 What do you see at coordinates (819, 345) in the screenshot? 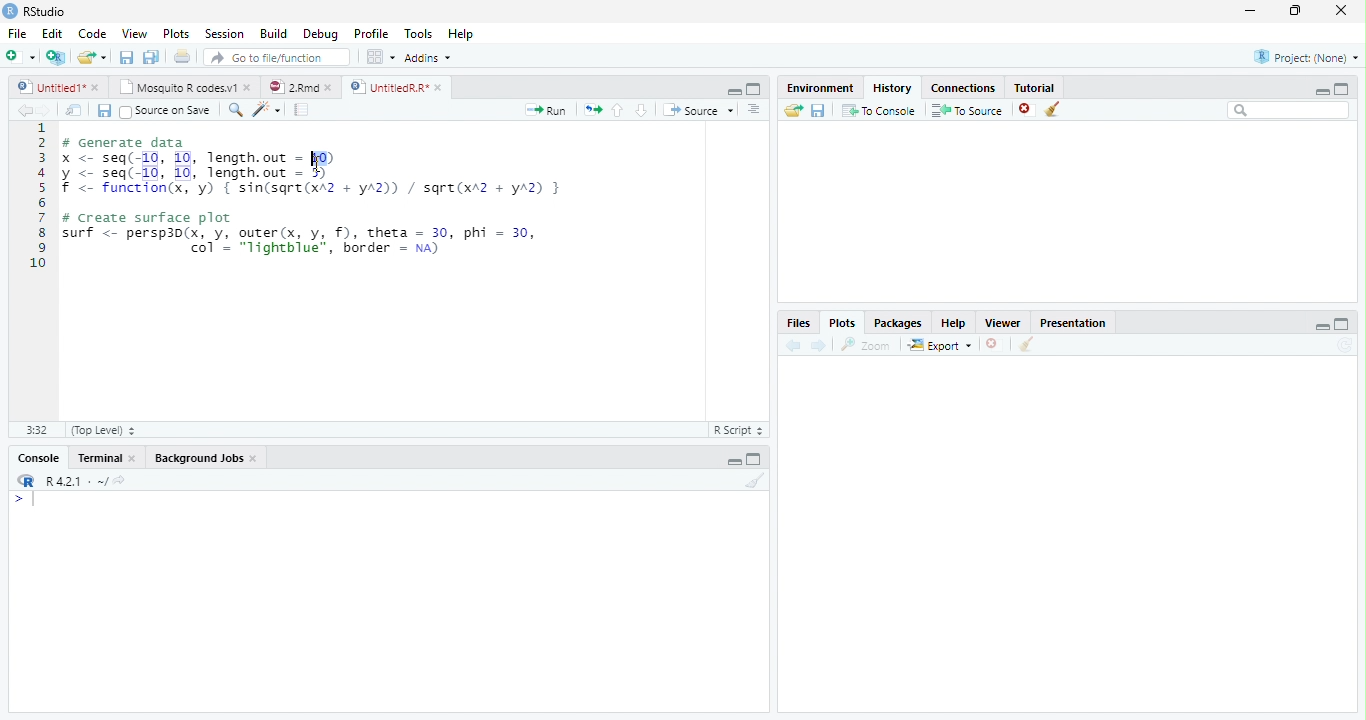
I see `Next plot` at bounding box center [819, 345].